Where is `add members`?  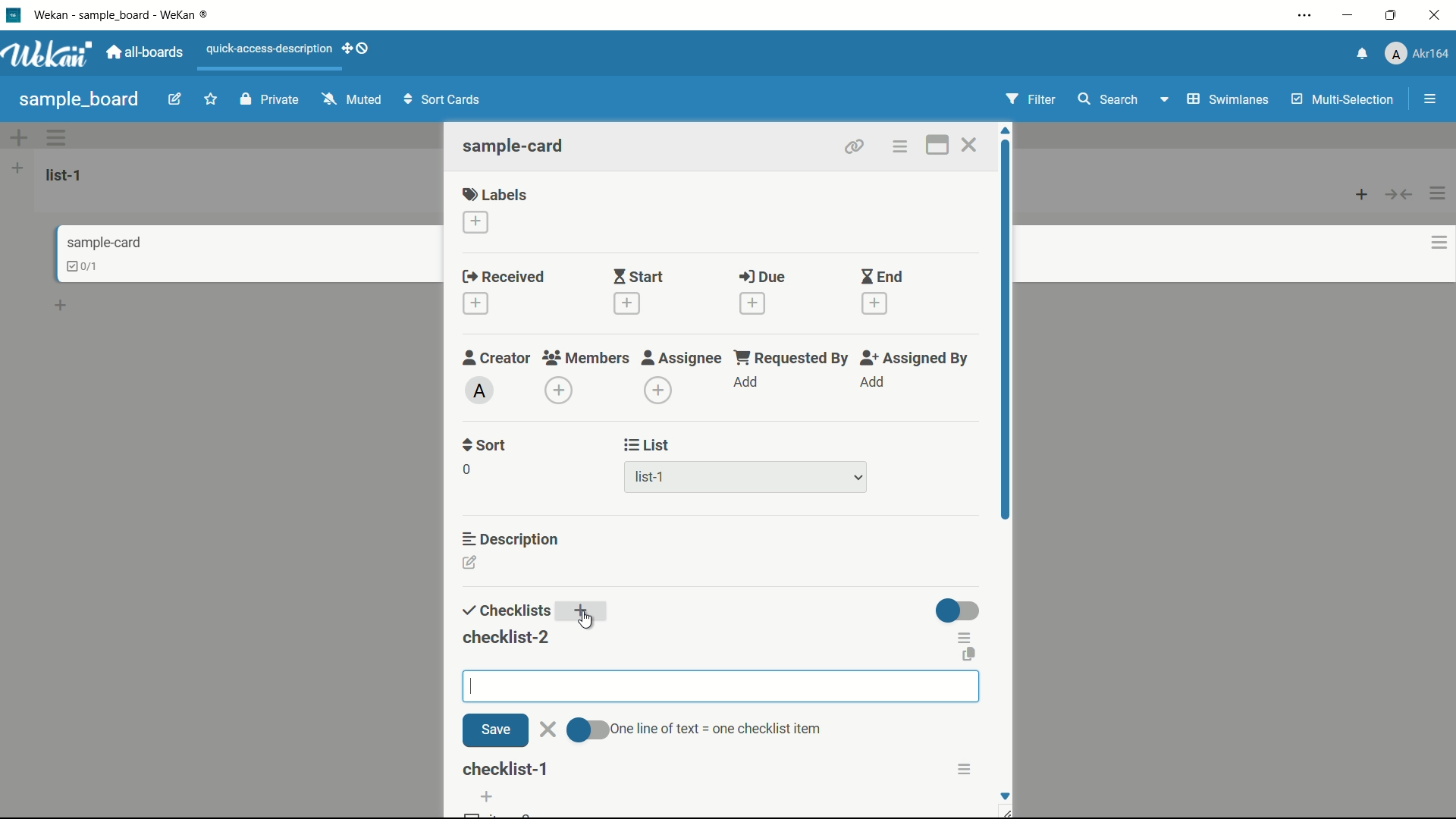
add members is located at coordinates (561, 392).